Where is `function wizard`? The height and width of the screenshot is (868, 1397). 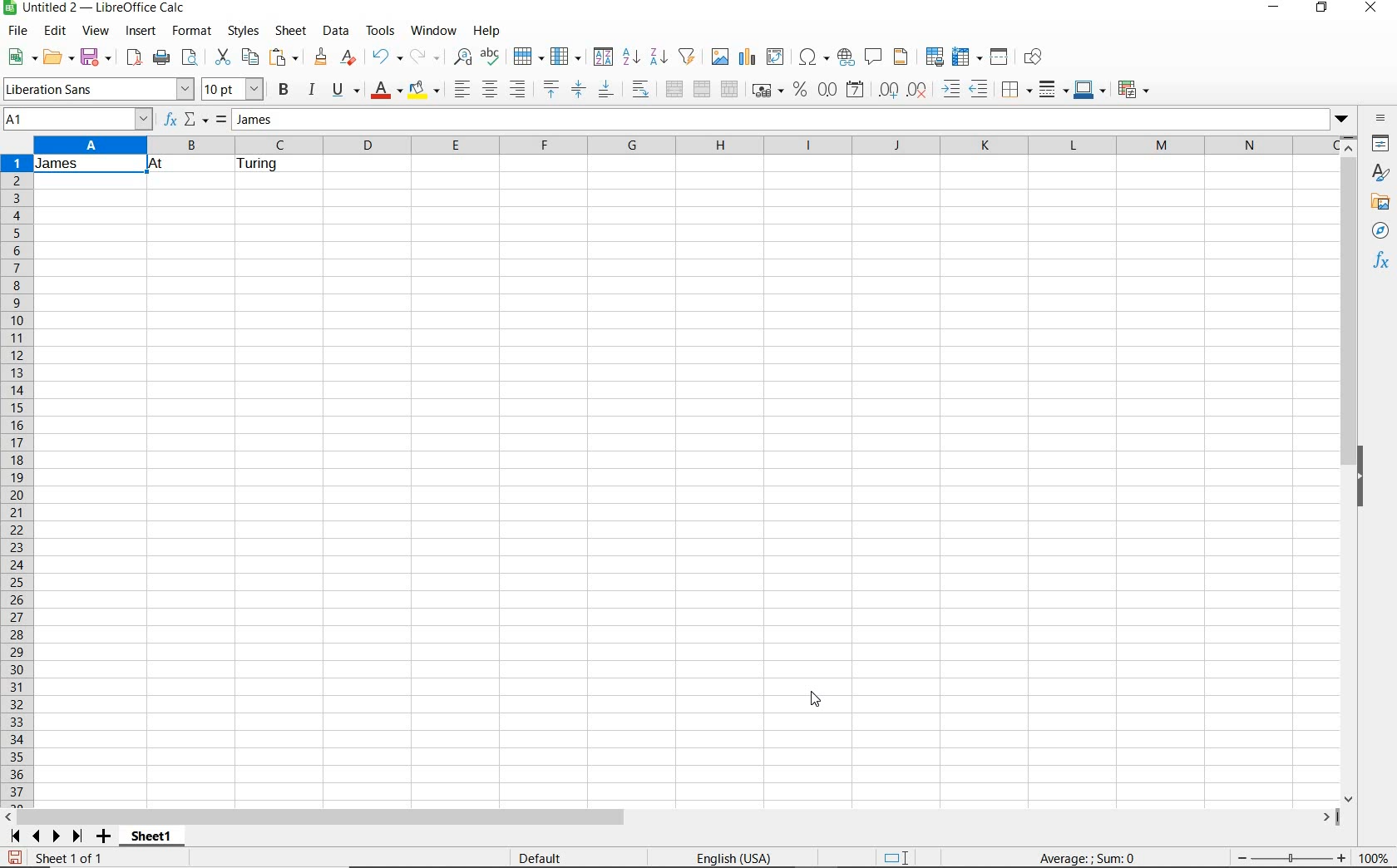
function wizard is located at coordinates (172, 121).